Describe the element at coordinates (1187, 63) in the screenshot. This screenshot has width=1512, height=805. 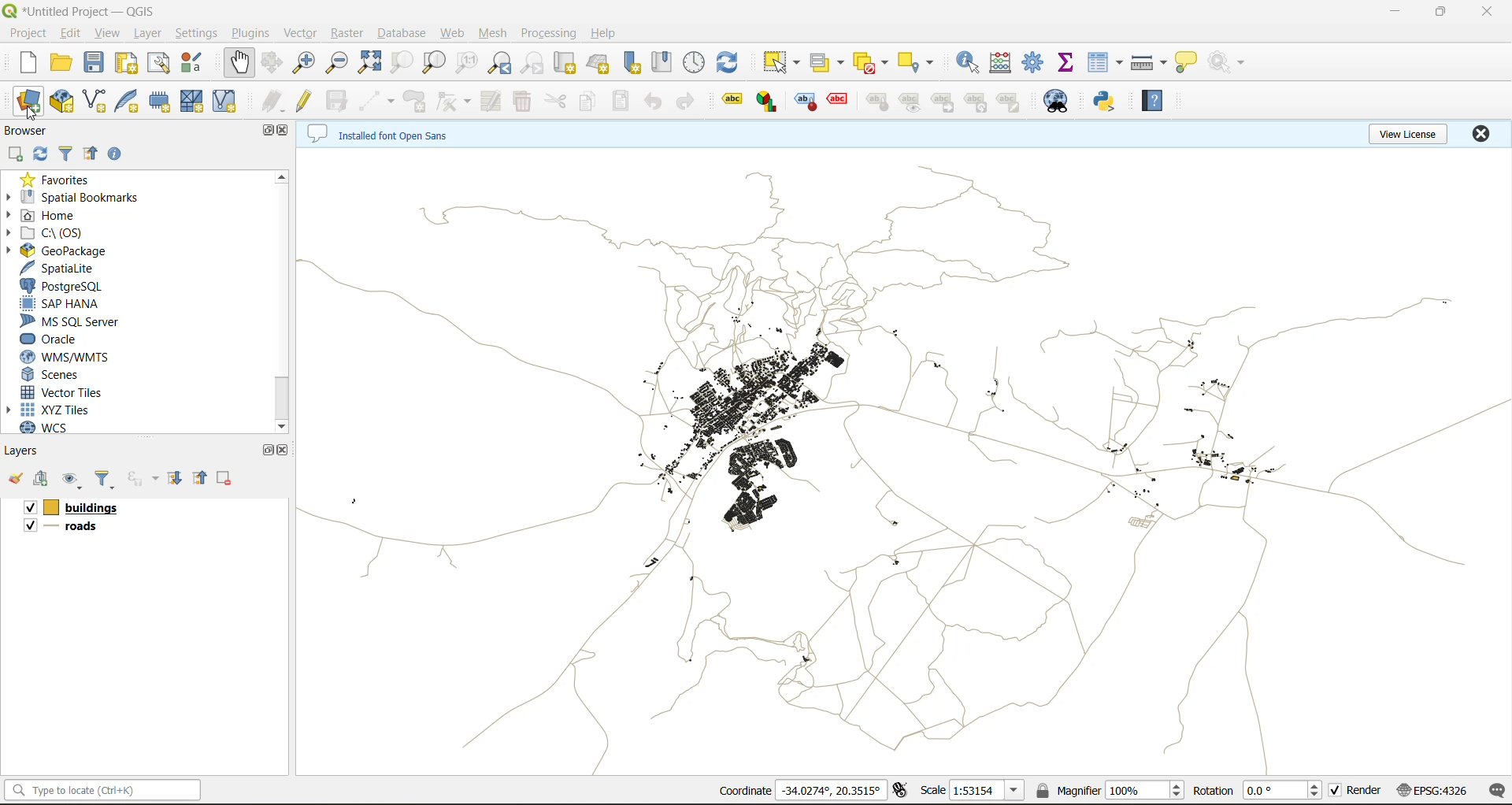
I see `show tips` at that location.